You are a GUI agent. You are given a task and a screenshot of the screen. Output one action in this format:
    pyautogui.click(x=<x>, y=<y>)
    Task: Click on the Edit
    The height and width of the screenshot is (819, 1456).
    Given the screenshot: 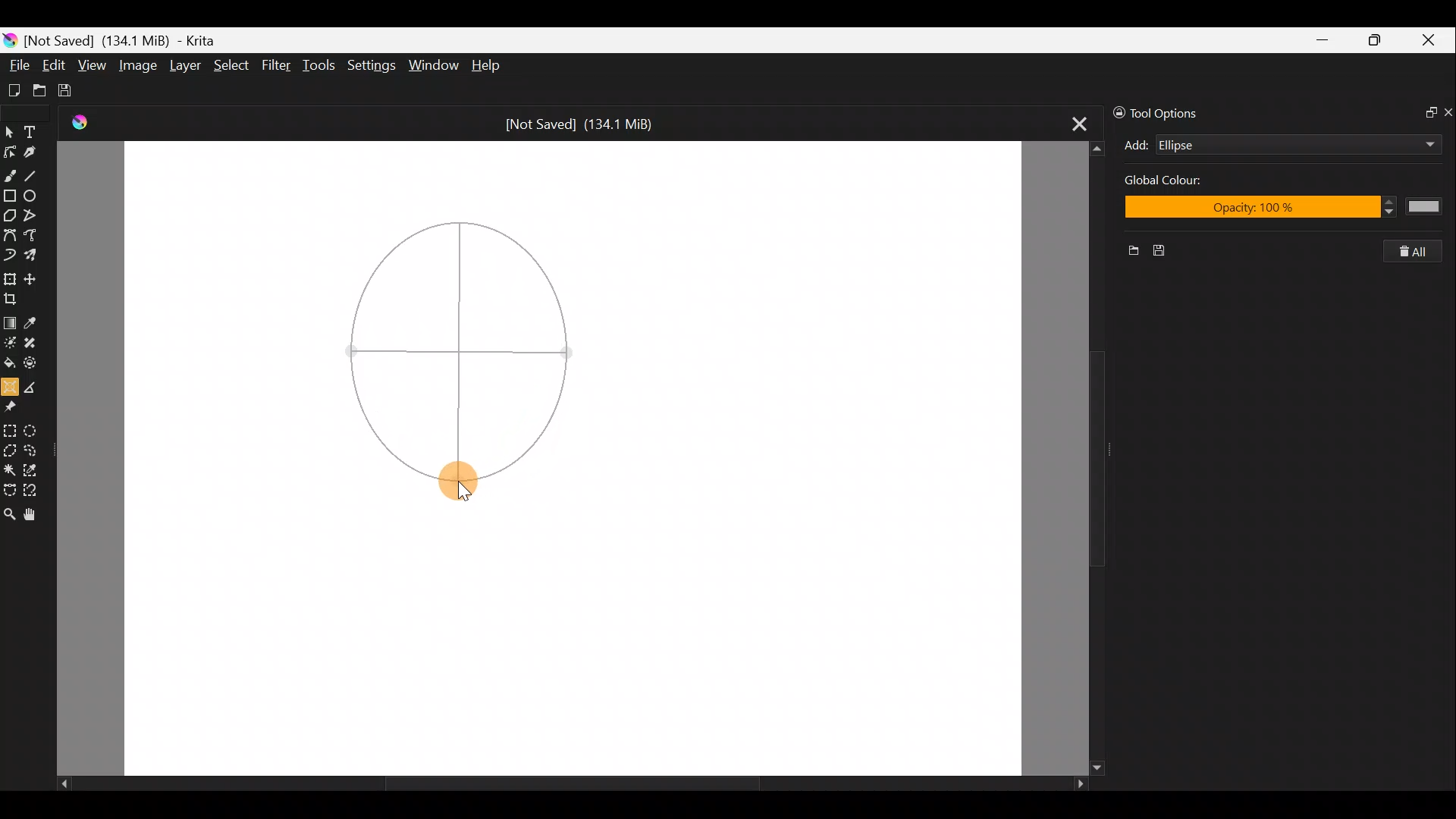 What is the action you would take?
    pyautogui.click(x=55, y=65)
    